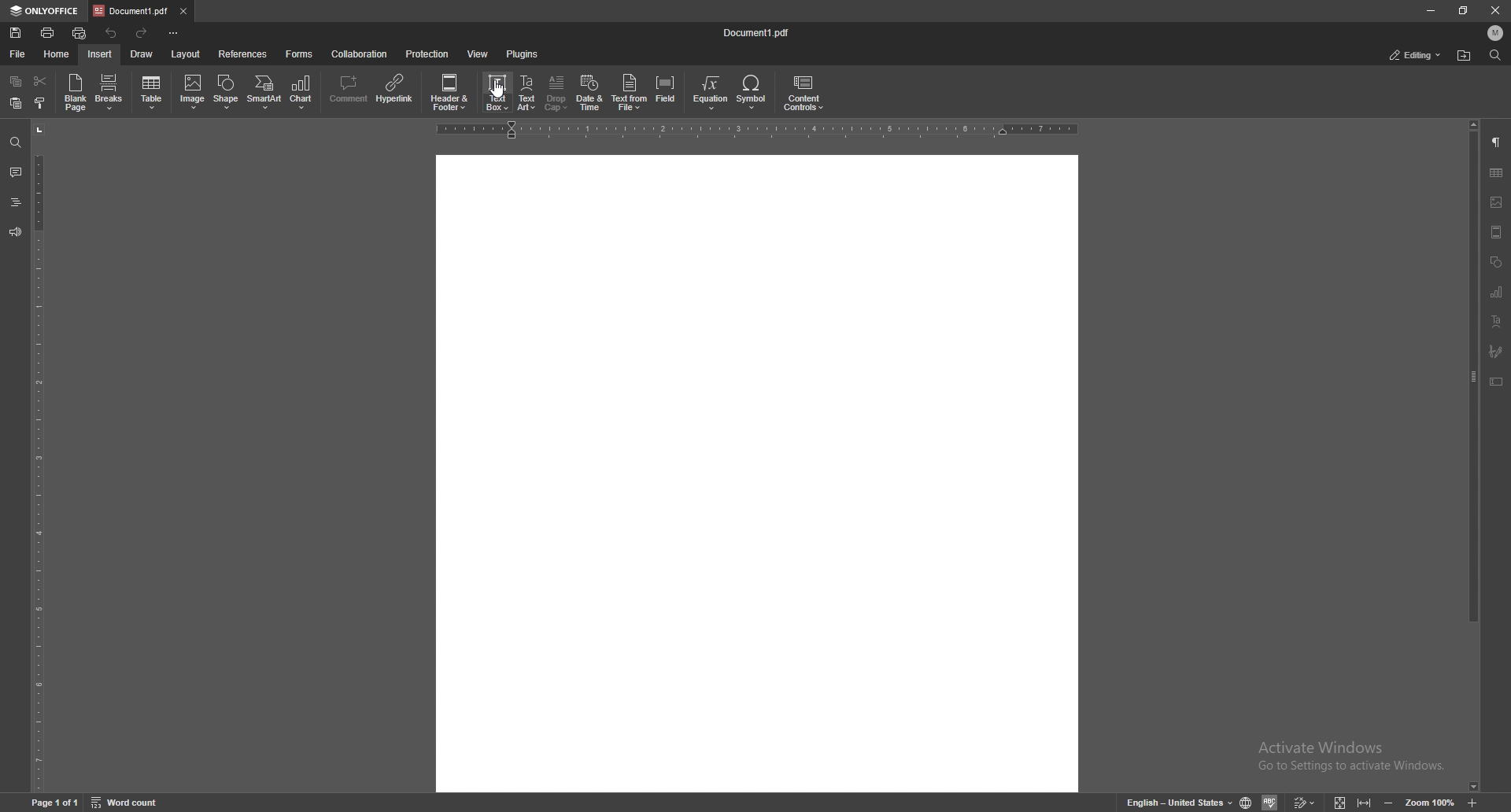 The width and height of the screenshot is (1511, 812). What do you see at coordinates (1350, 803) in the screenshot?
I see `expand` at bounding box center [1350, 803].